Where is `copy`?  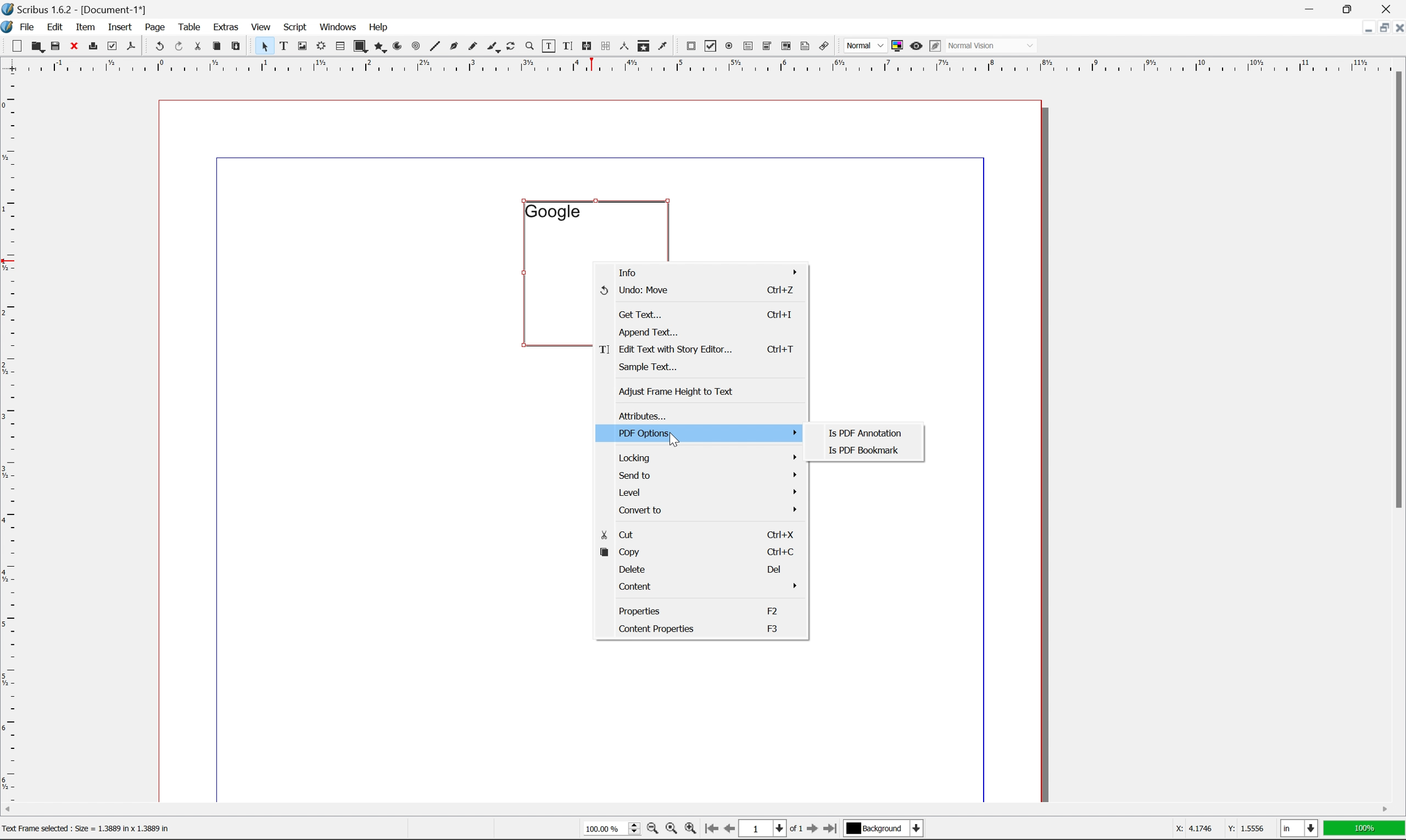 copy is located at coordinates (219, 47).